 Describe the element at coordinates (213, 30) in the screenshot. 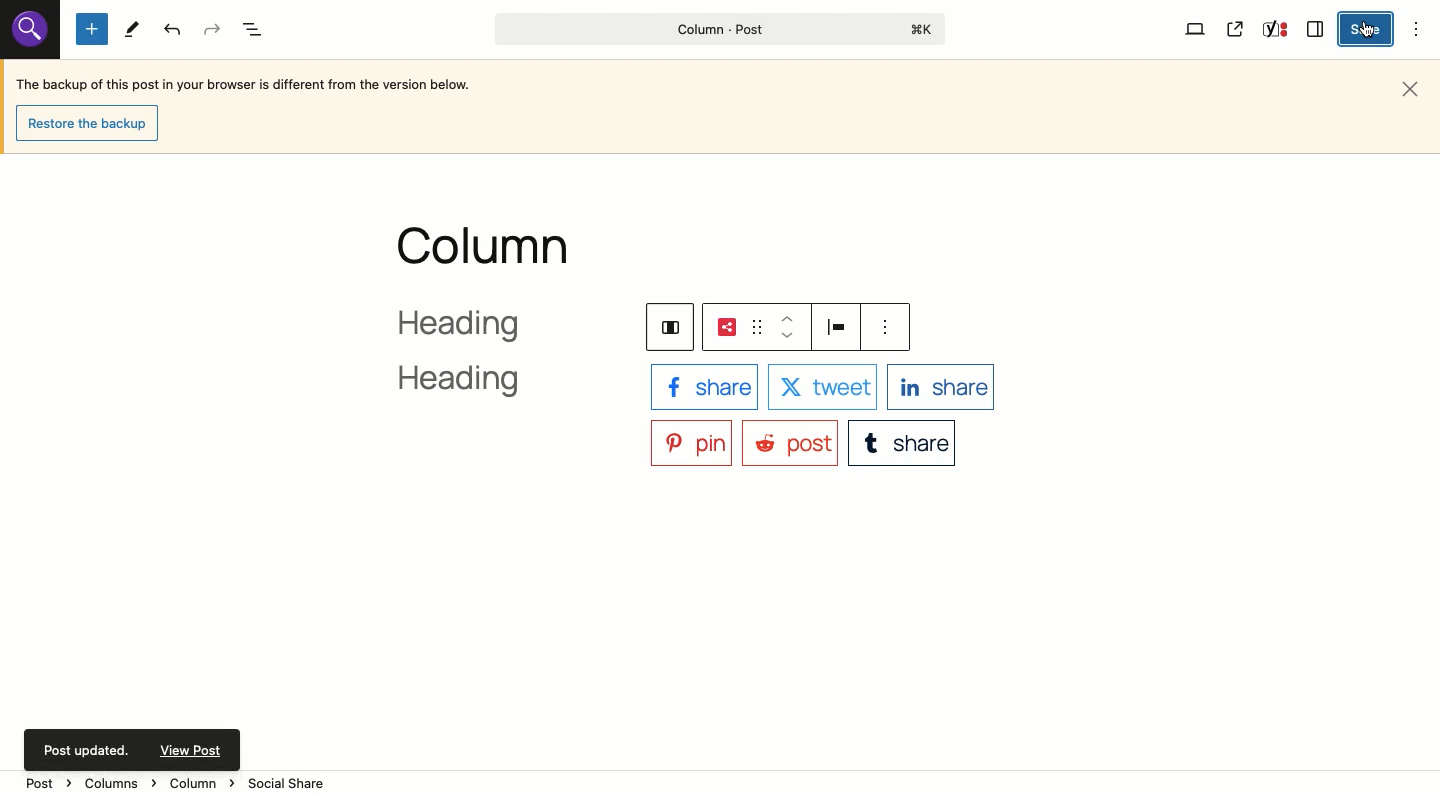

I see `Redo` at that location.